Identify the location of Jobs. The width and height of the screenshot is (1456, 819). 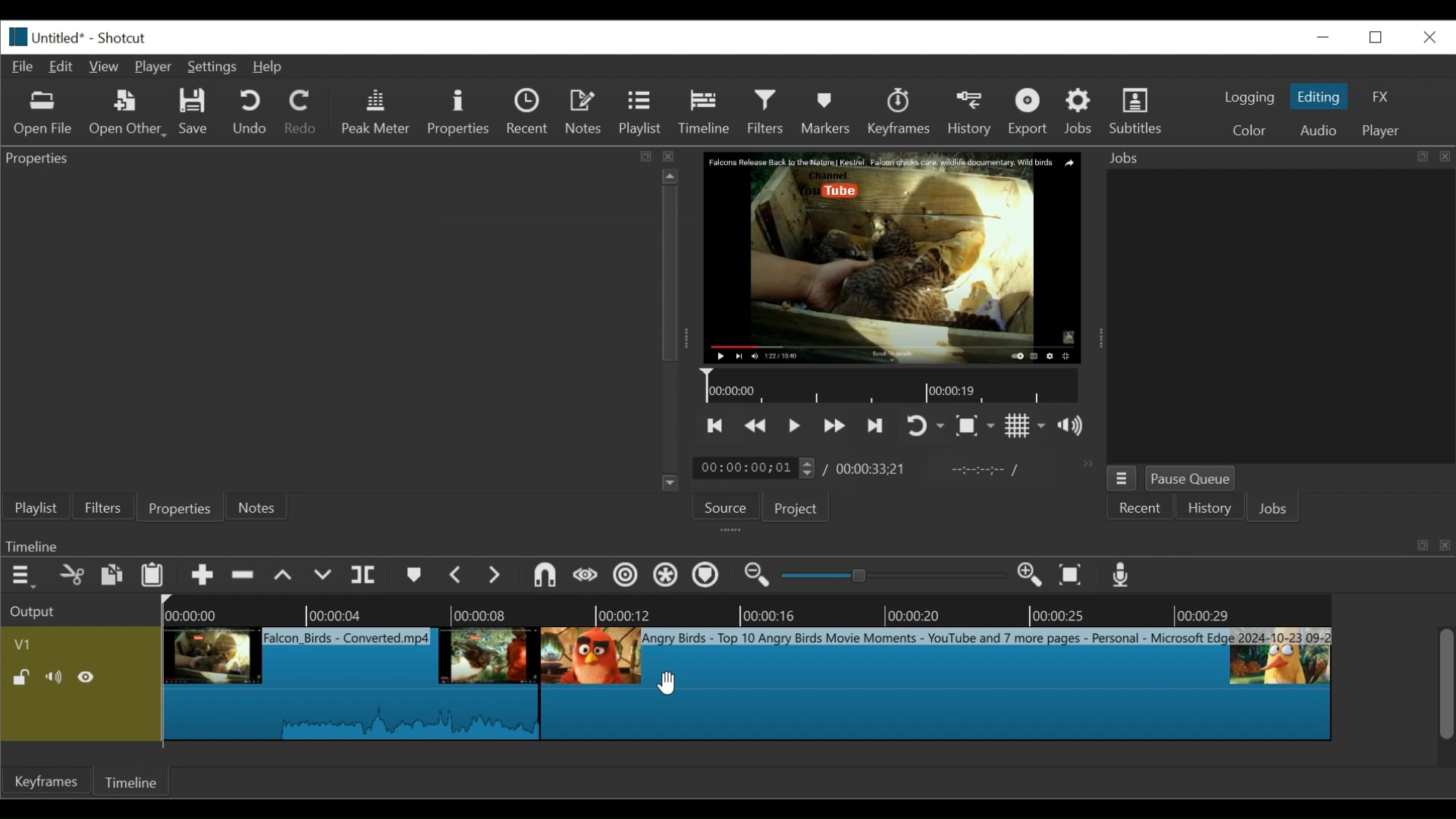
(1081, 111).